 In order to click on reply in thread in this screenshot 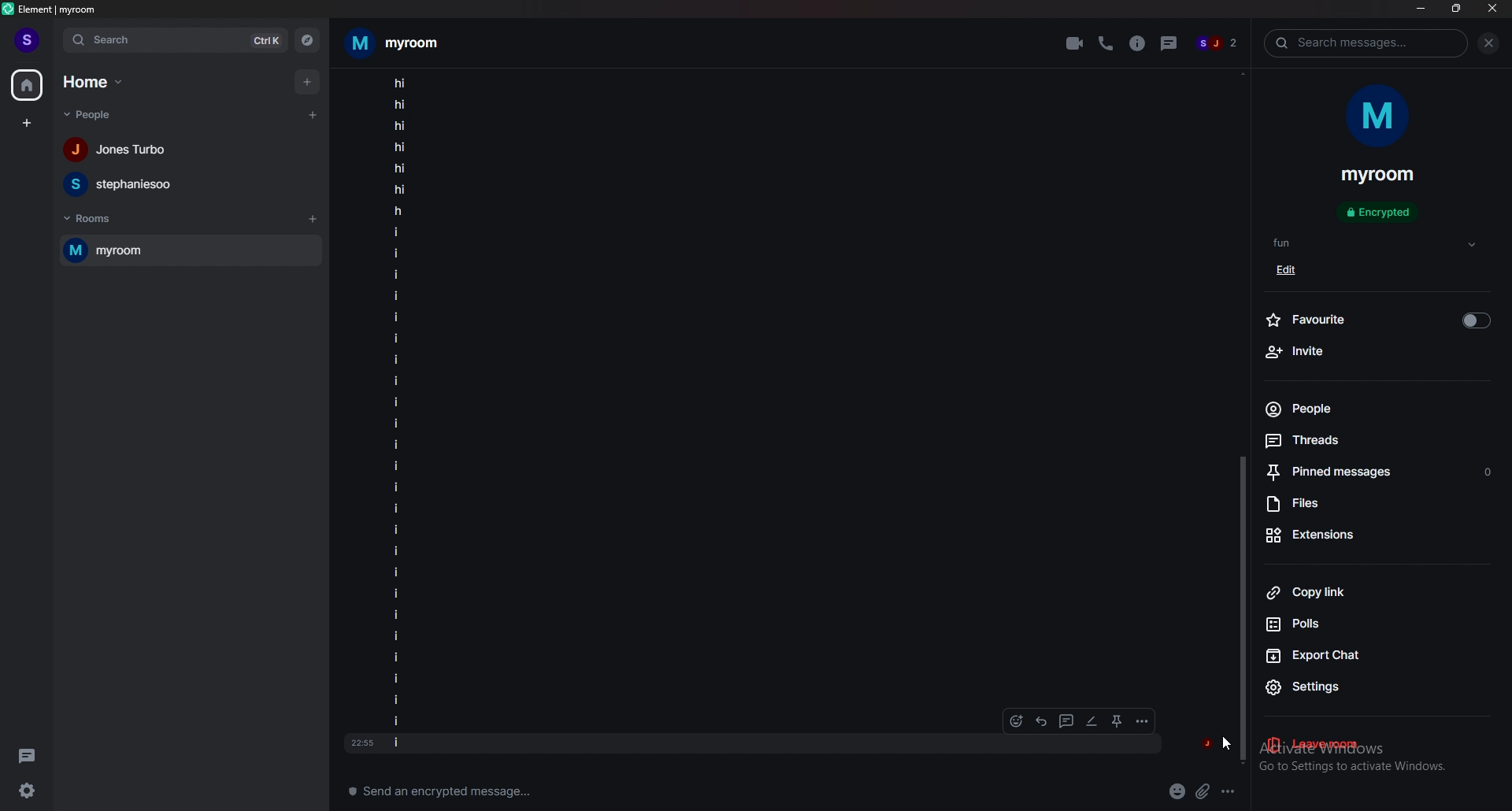, I will do `click(1066, 720)`.